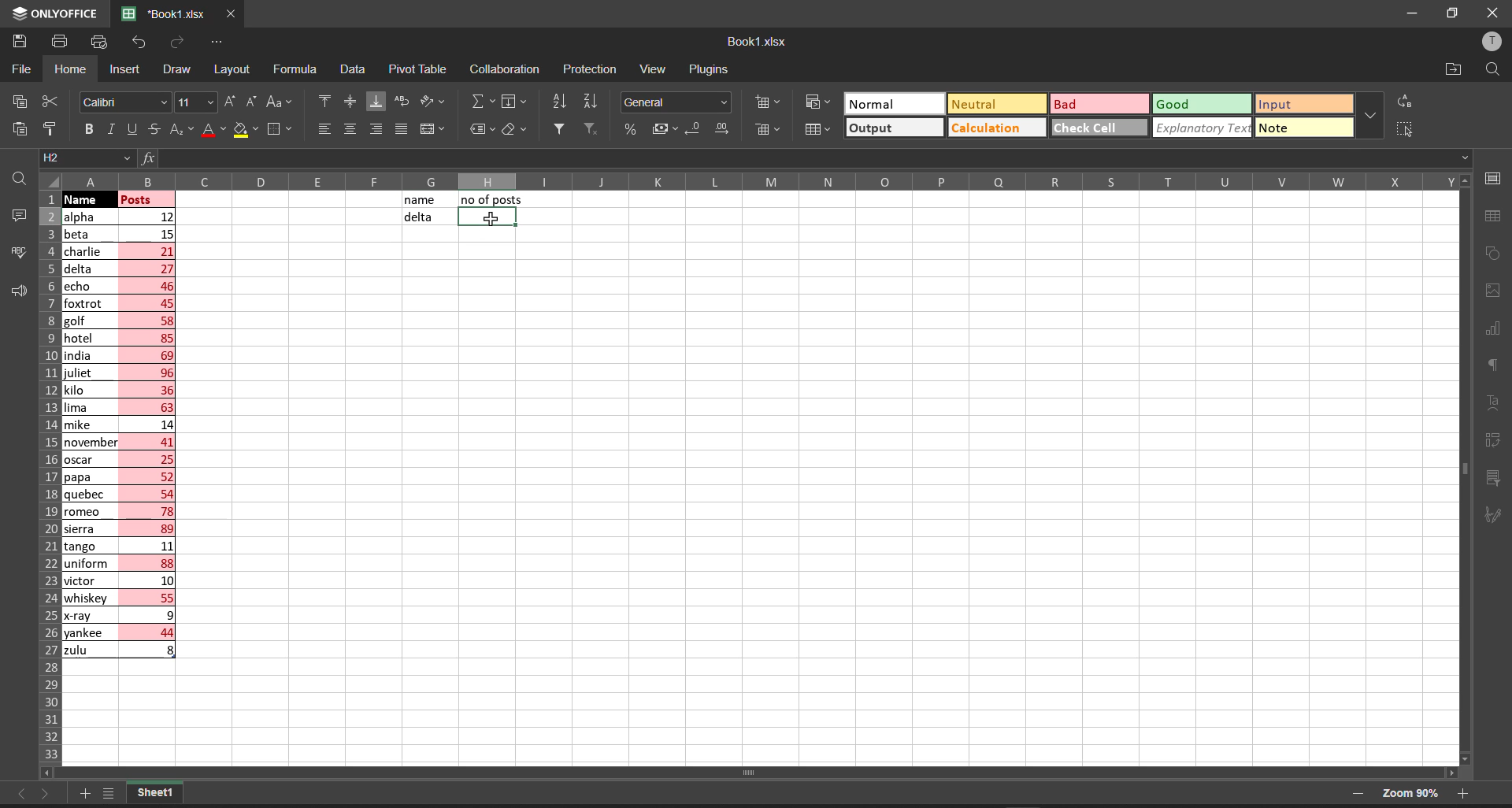  What do you see at coordinates (138, 45) in the screenshot?
I see `undo` at bounding box center [138, 45].